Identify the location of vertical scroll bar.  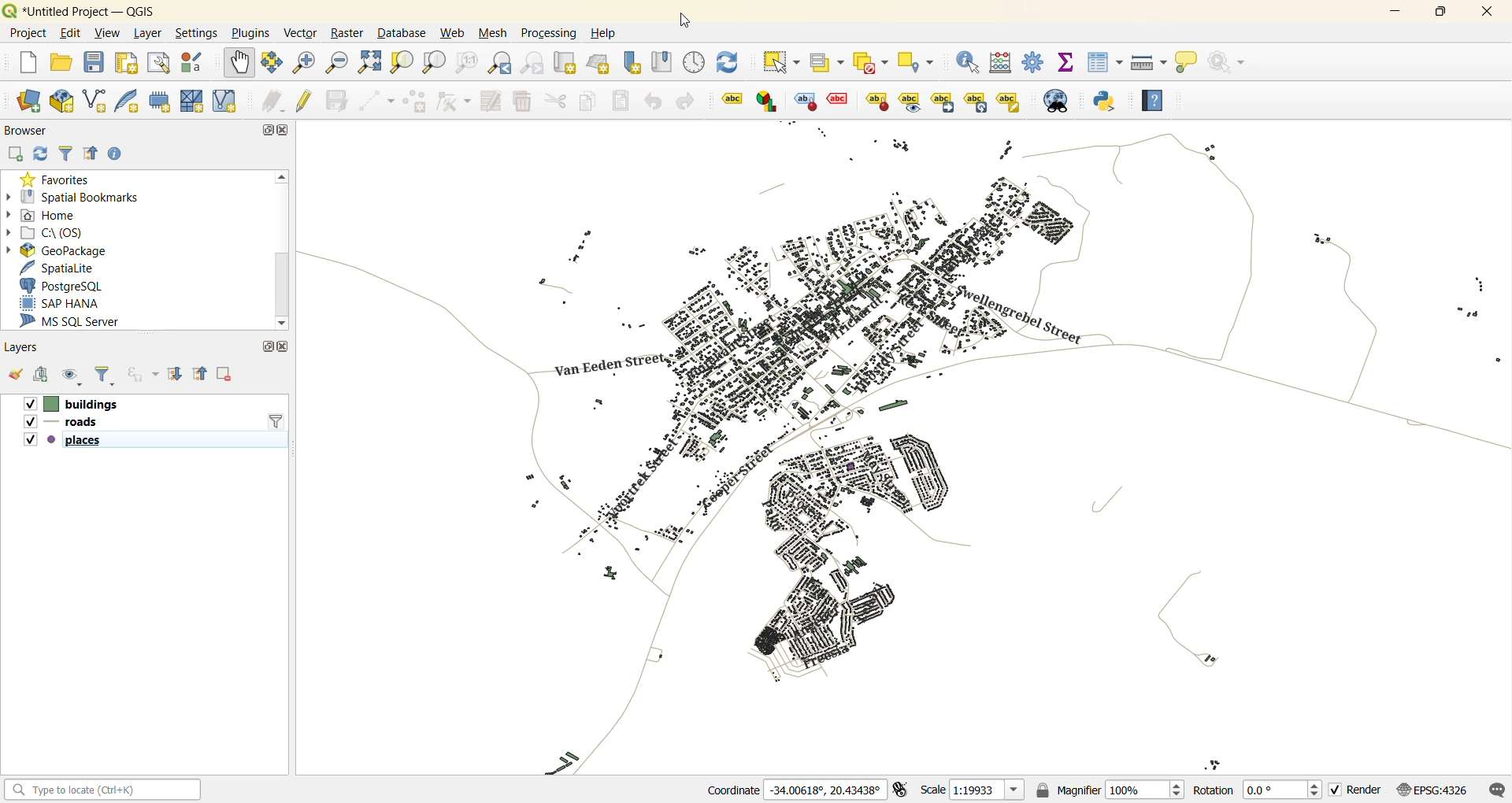
(283, 250).